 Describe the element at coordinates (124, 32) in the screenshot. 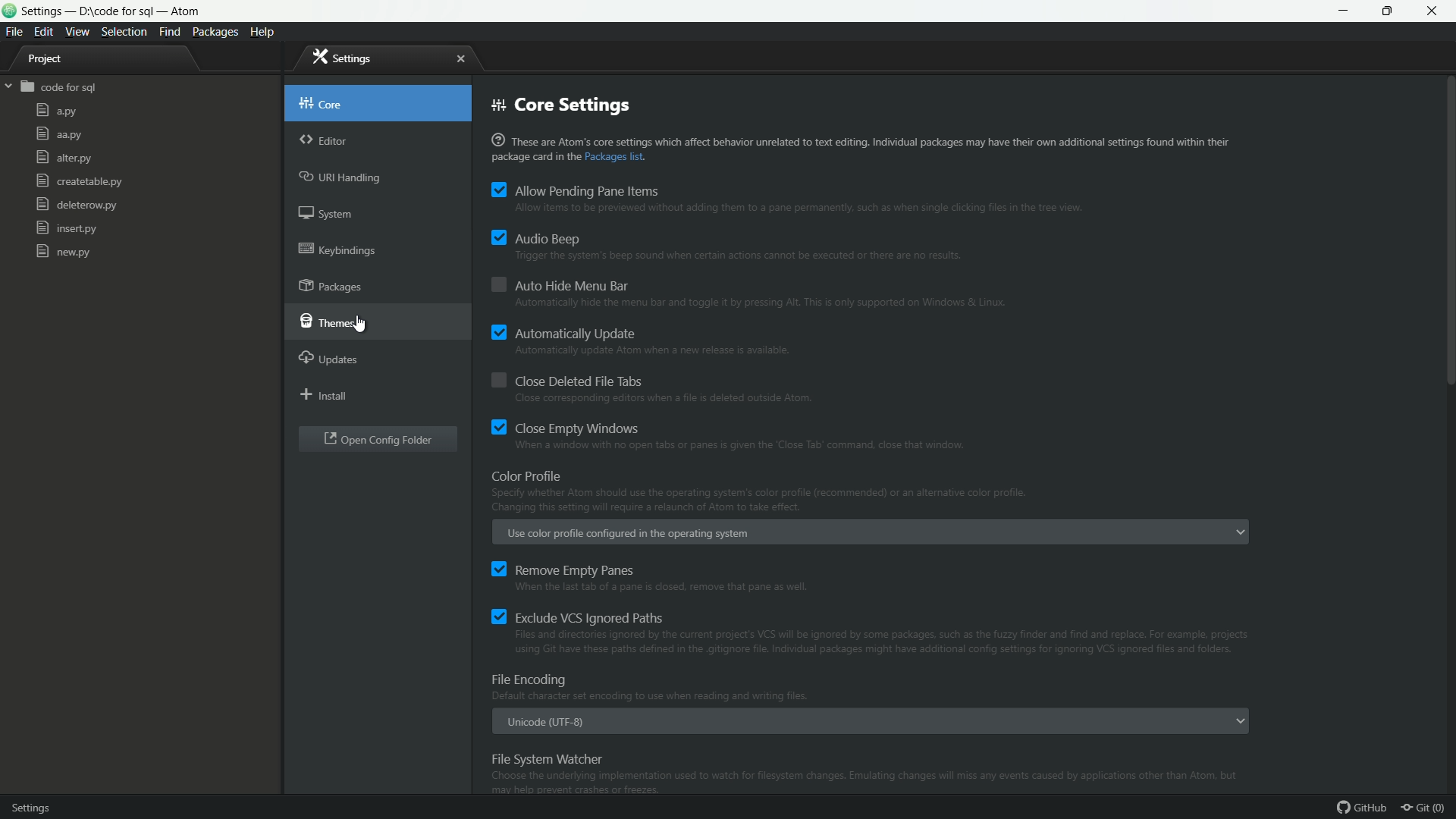

I see `selection menu` at that location.